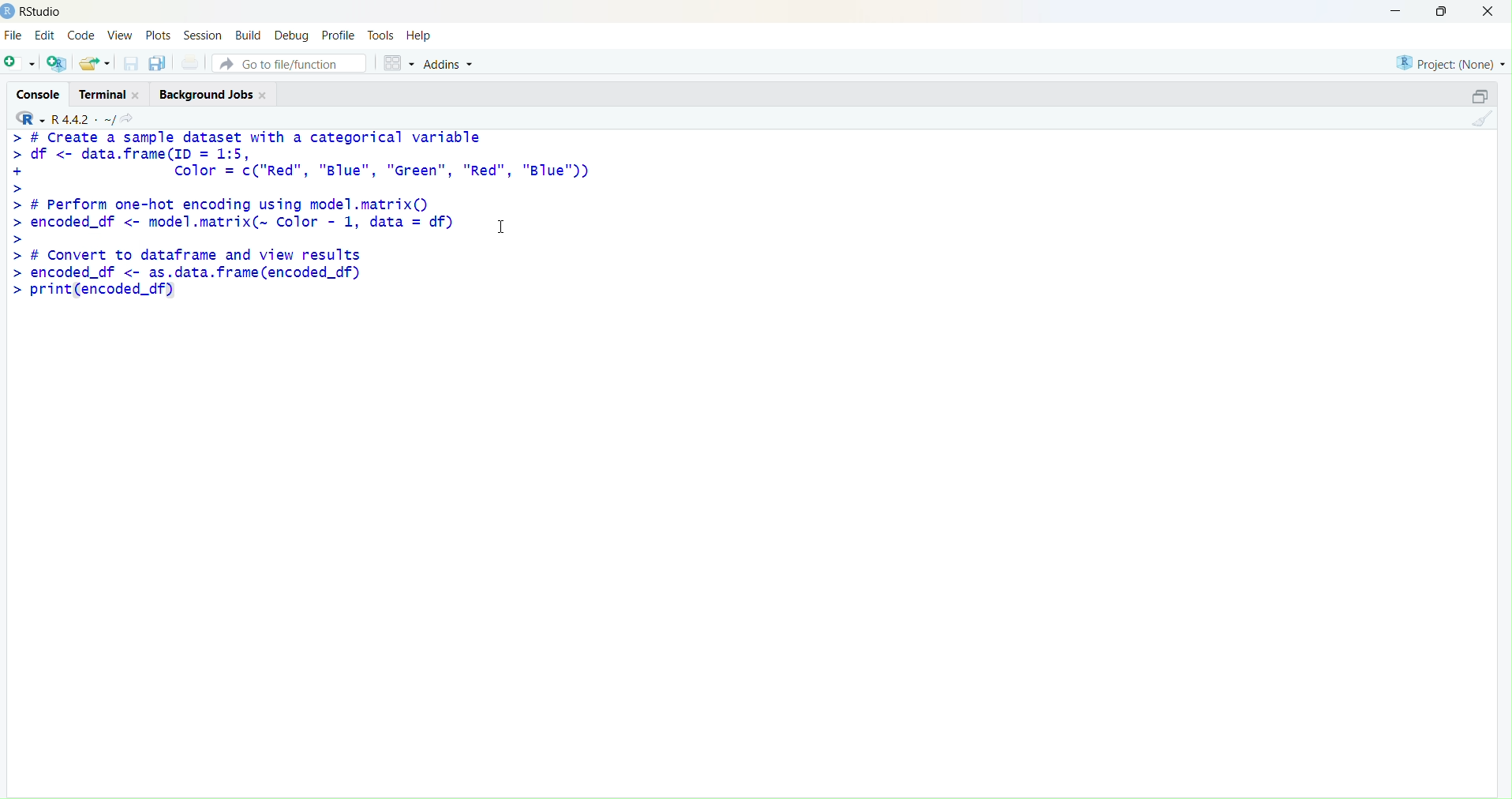  Describe the element at coordinates (95, 63) in the screenshot. I see `share folder as` at that location.